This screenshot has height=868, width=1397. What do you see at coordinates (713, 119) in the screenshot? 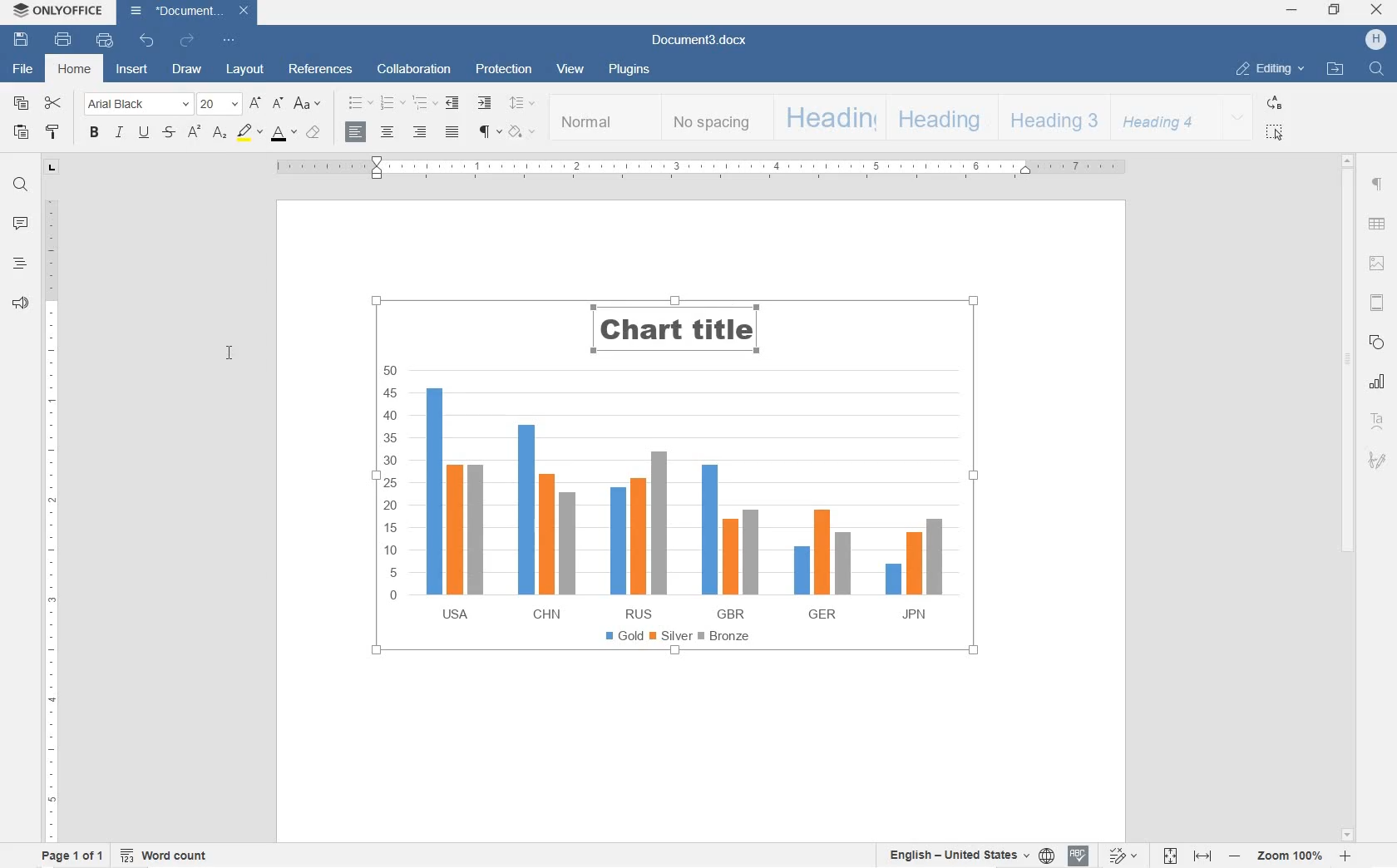
I see `NO SPACING` at bounding box center [713, 119].